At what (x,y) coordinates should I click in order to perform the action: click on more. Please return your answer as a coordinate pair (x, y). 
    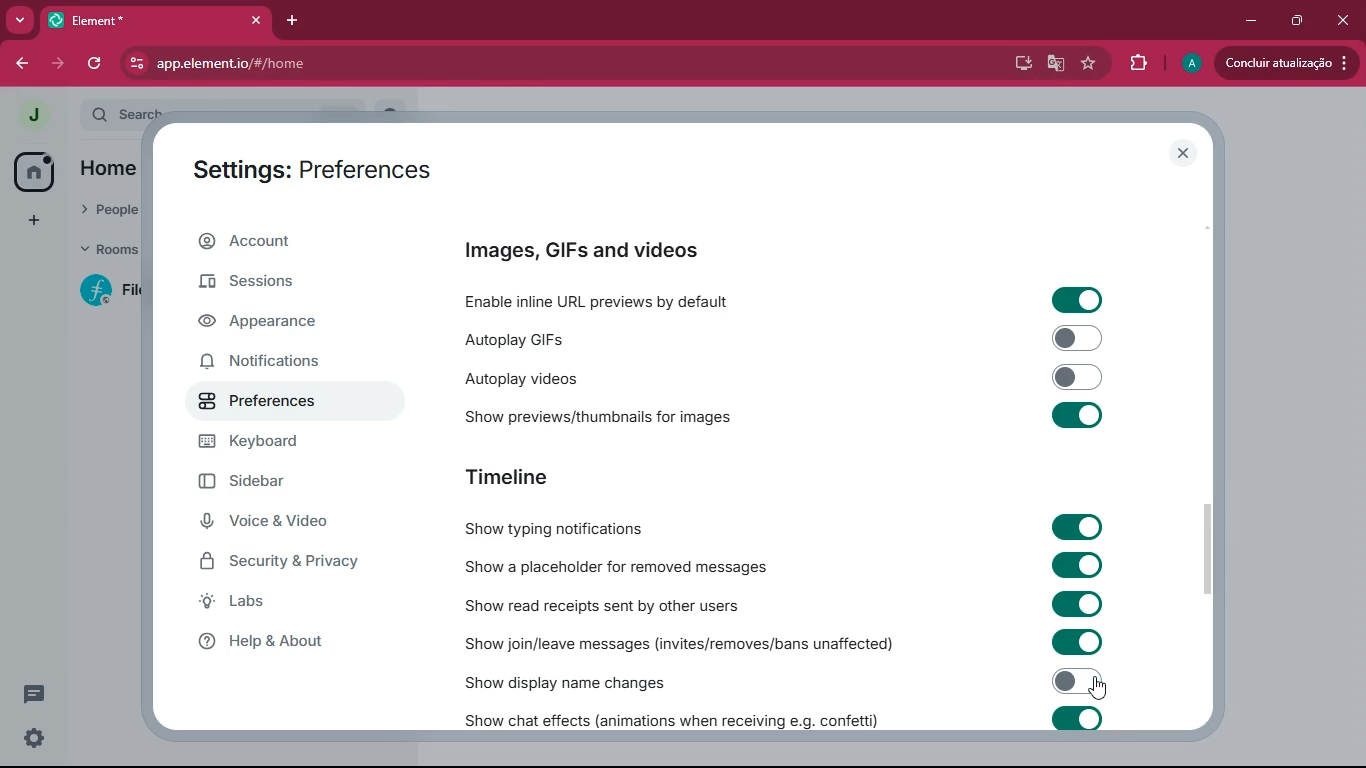
    Looking at the image, I should click on (36, 219).